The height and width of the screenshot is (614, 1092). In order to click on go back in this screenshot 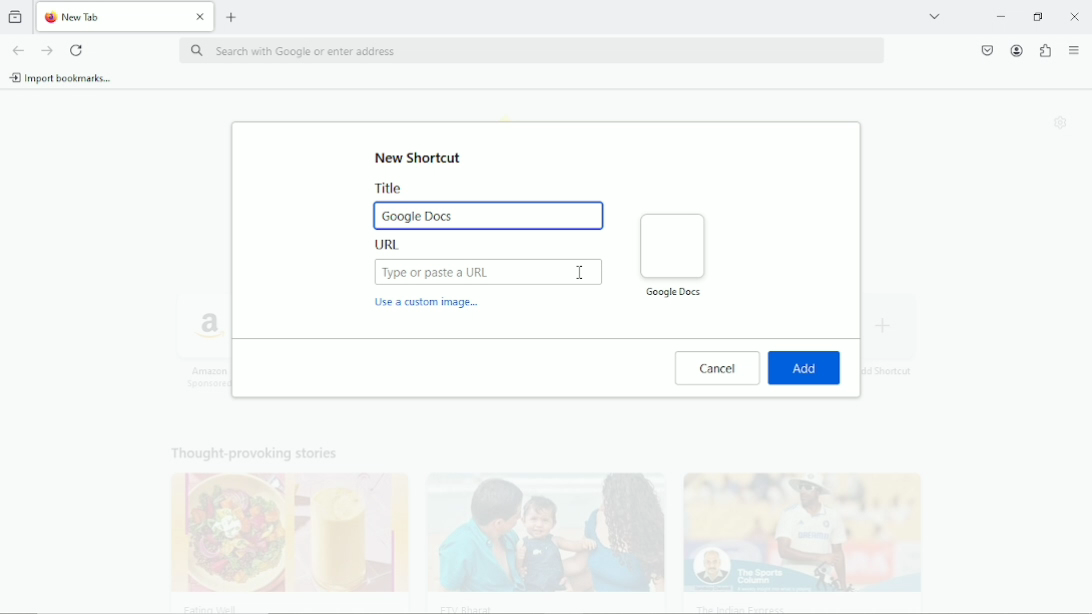, I will do `click(17, 49)`.